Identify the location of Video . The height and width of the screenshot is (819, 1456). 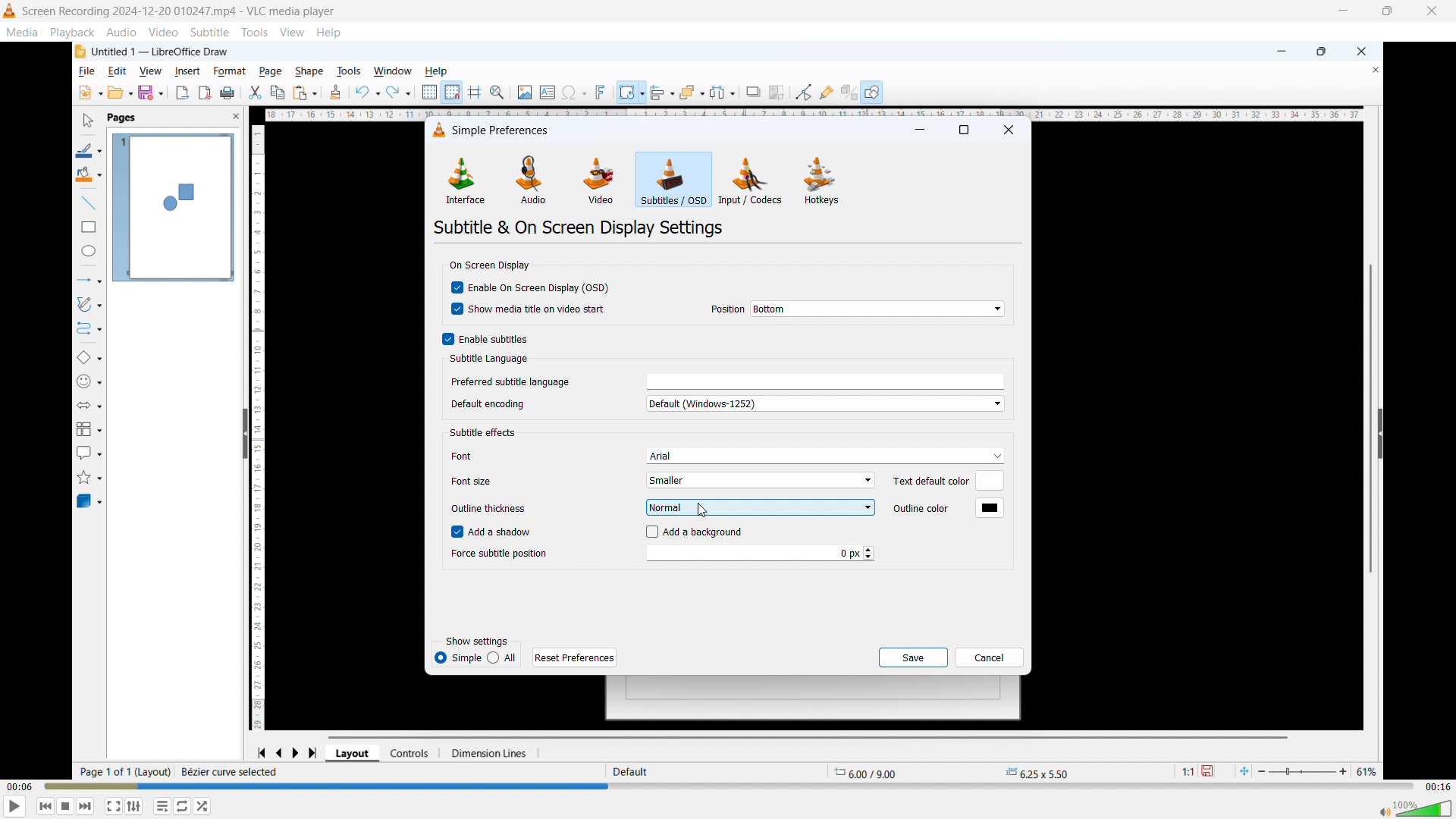
(598, 180).